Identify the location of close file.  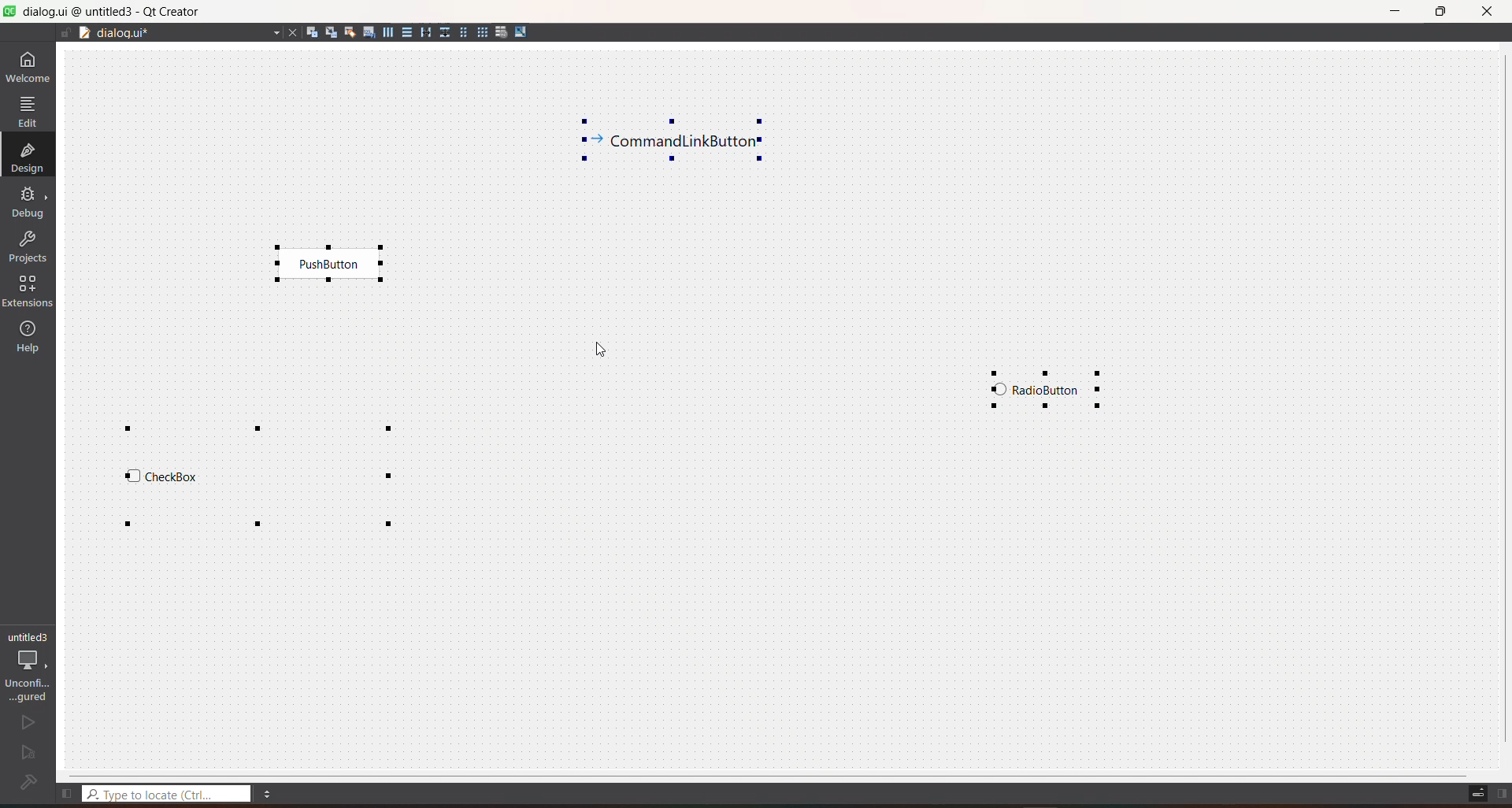
(293, 32).